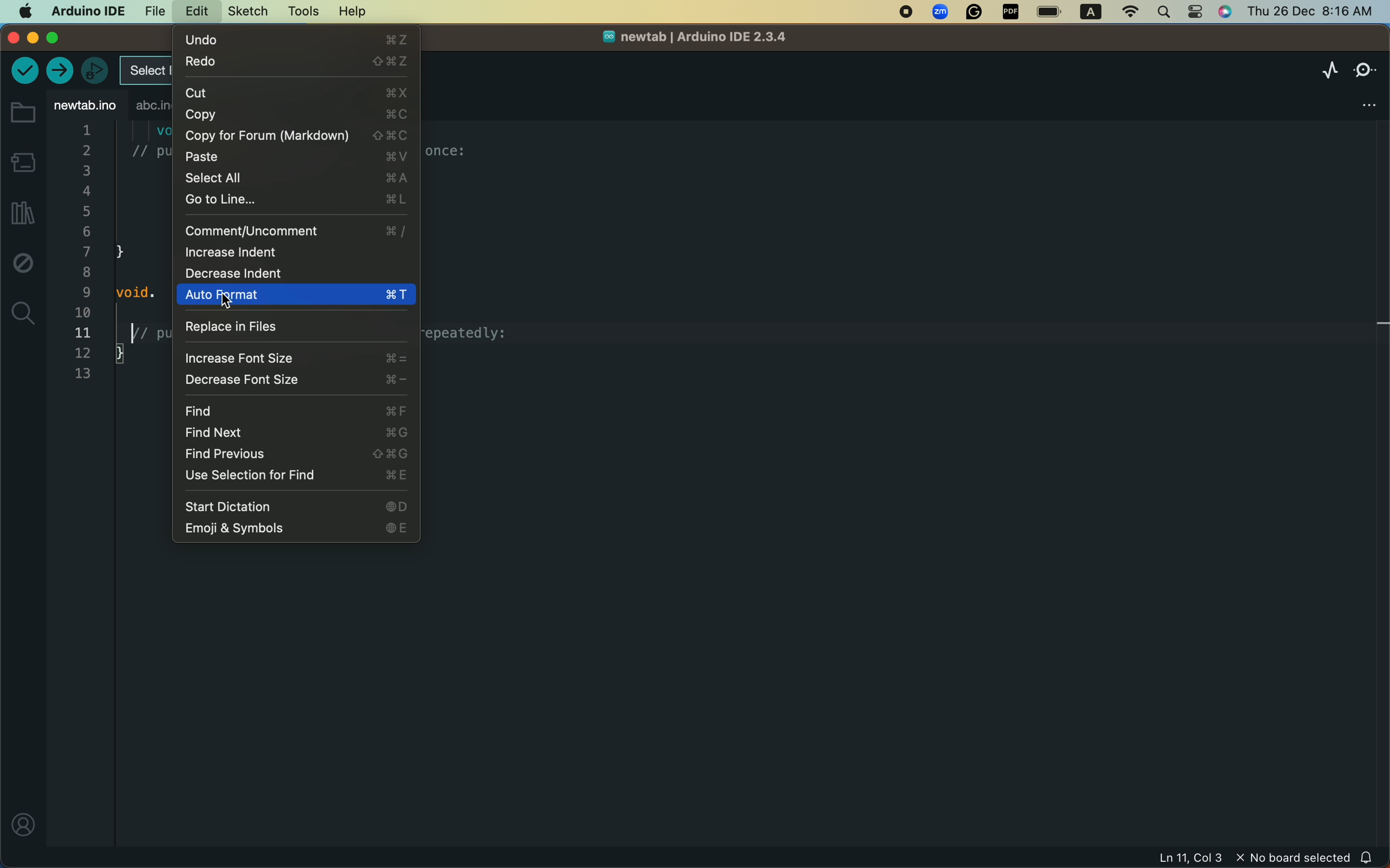  Describe the element at coordinates (294, 114) in the screenshot. I see `copy` at that location.